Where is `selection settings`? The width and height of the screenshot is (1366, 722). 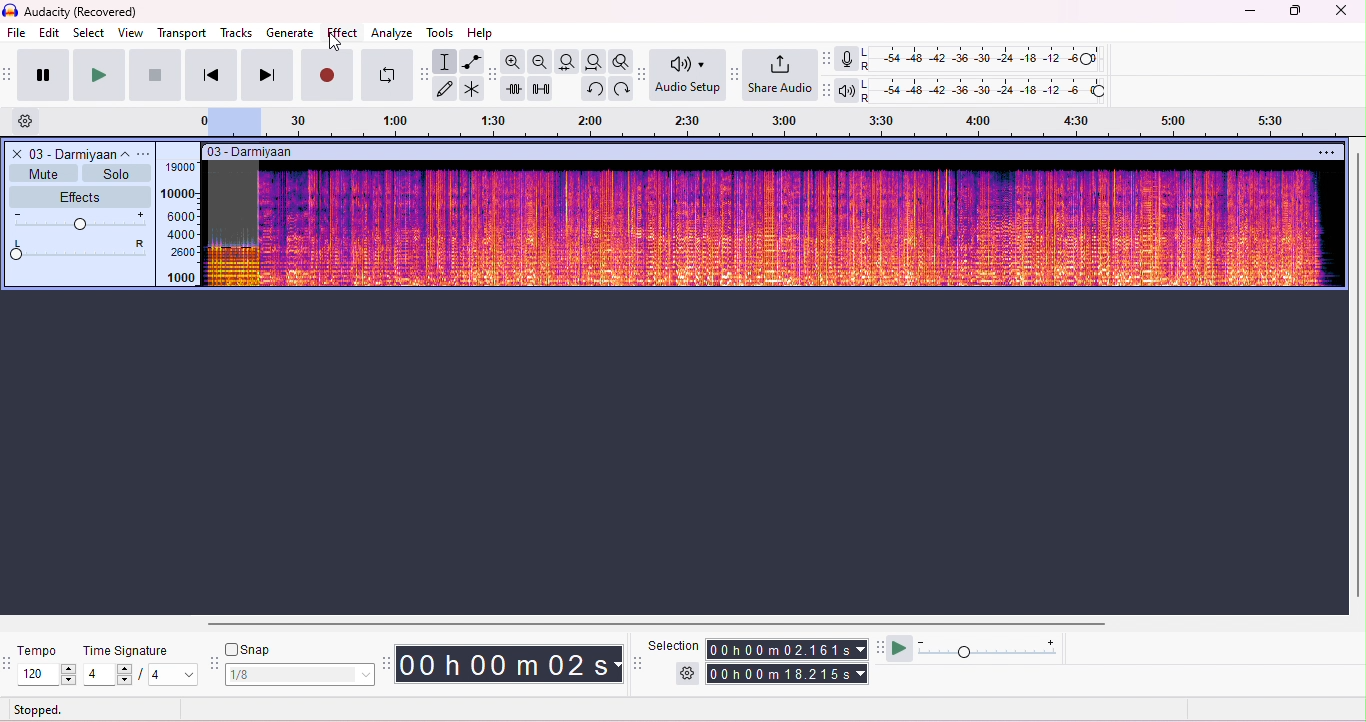
selection settings is located at coordinates (688, 673).